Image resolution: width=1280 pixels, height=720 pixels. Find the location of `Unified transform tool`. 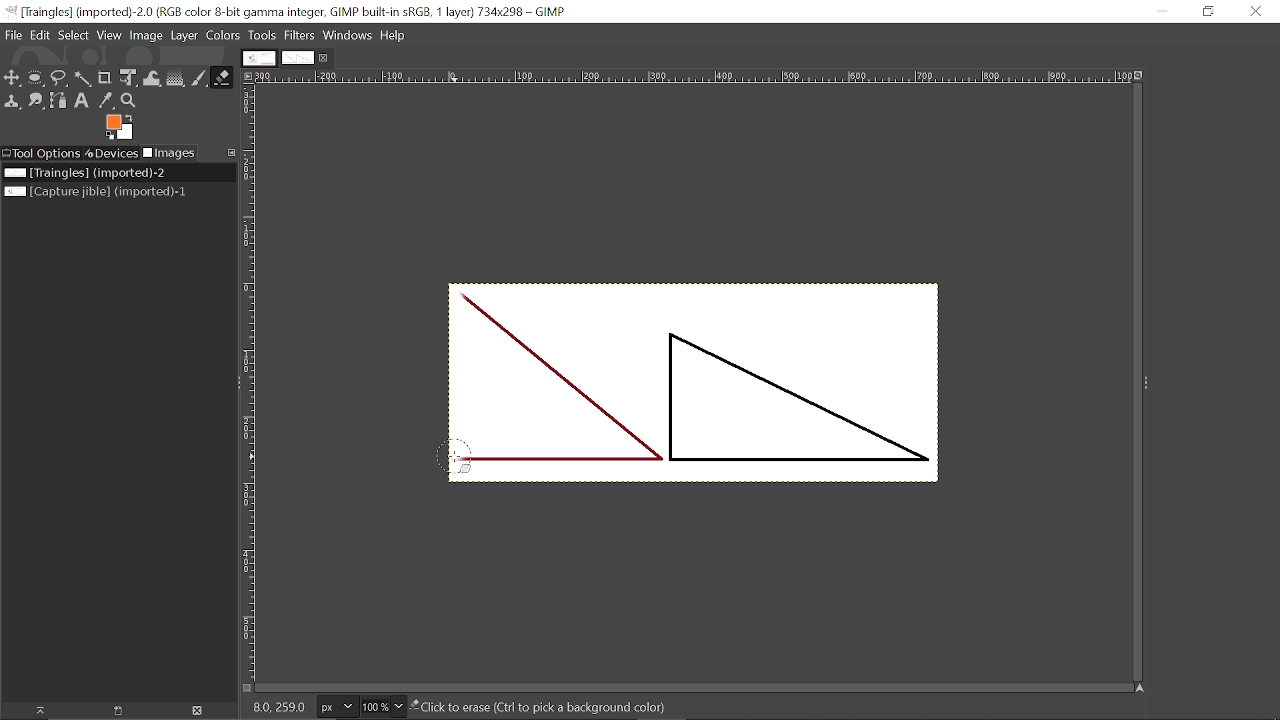

Unified transform tool is located at coordinates (127, 78).